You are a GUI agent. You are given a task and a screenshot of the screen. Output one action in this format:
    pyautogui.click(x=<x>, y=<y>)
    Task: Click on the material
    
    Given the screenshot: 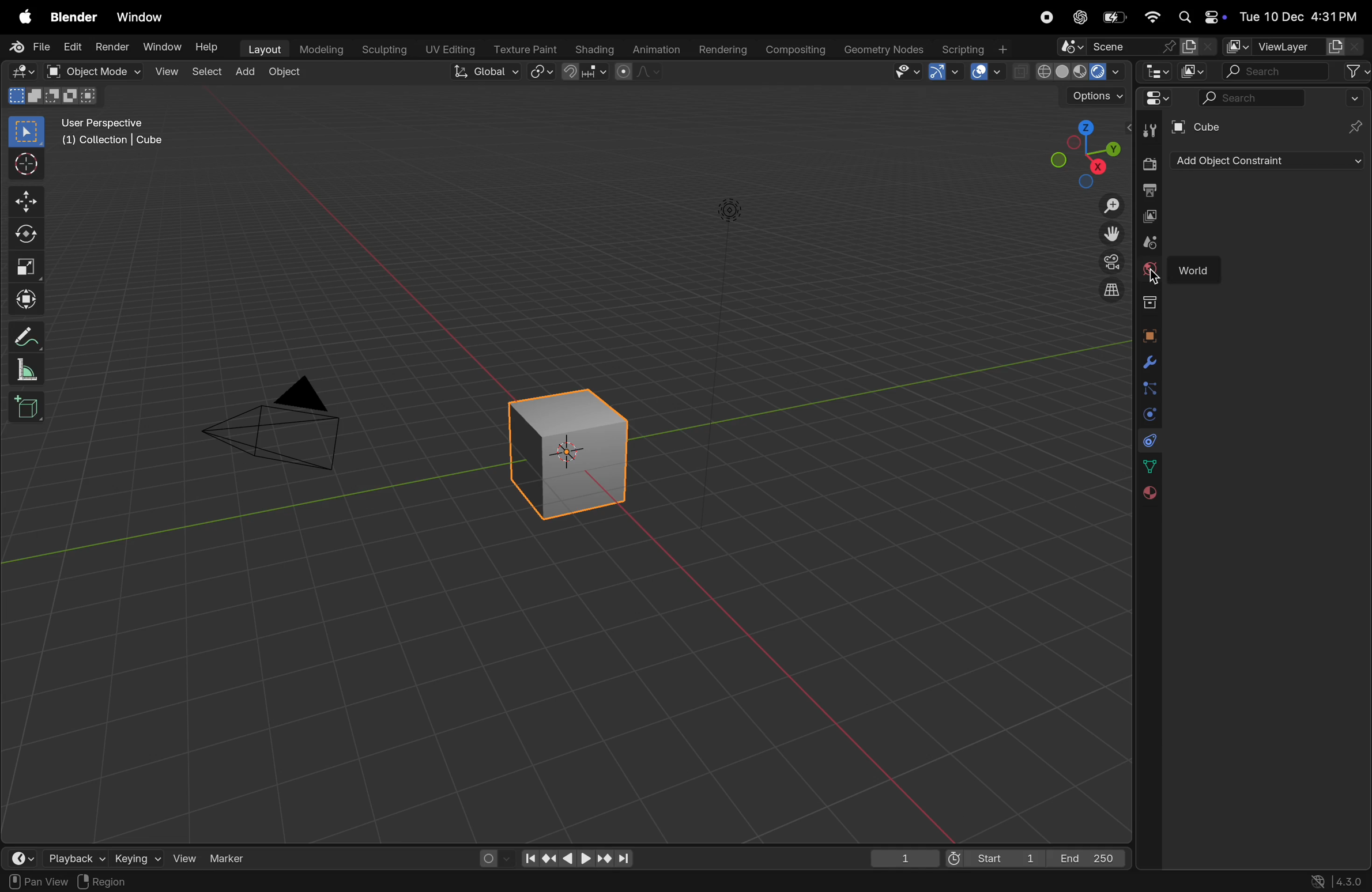 What is the action you would take?
    pyautogui.click(x=1148, y=494)
    